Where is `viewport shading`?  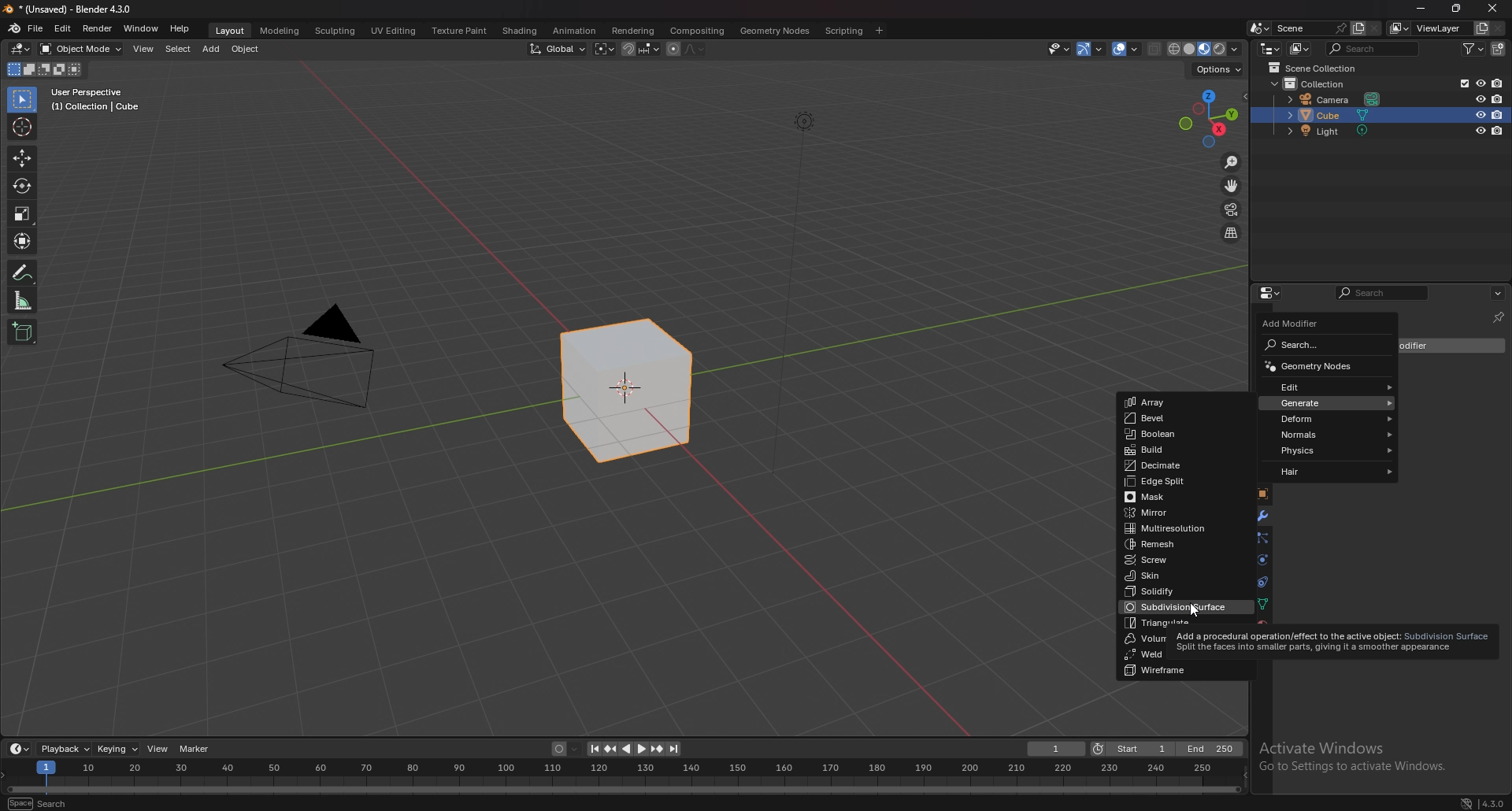 viewport shading is located at coordinates (1205, 48).